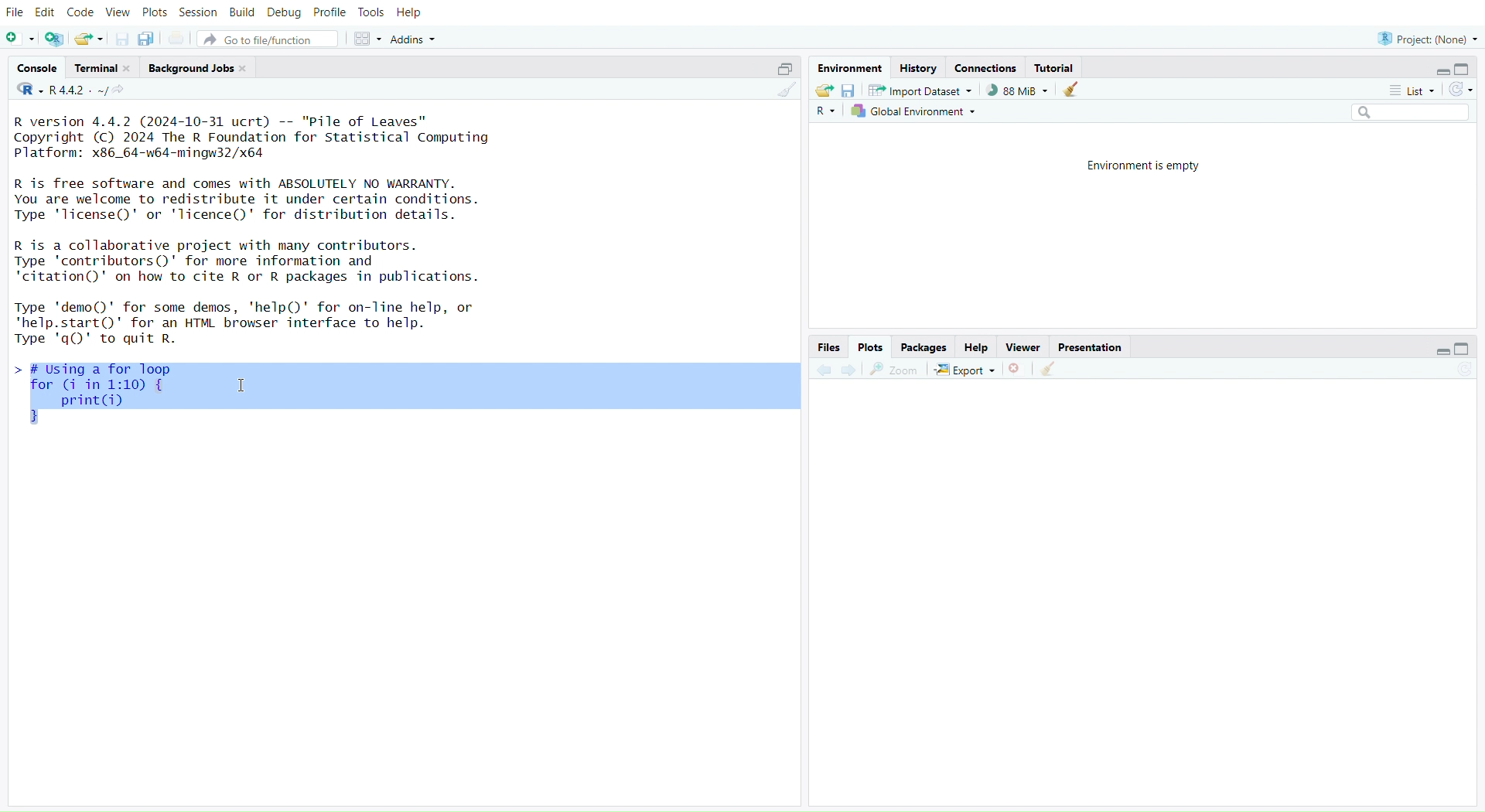 The width and height of the screenshot is (1485, 812). I want to click on edit, so click(45, 13).